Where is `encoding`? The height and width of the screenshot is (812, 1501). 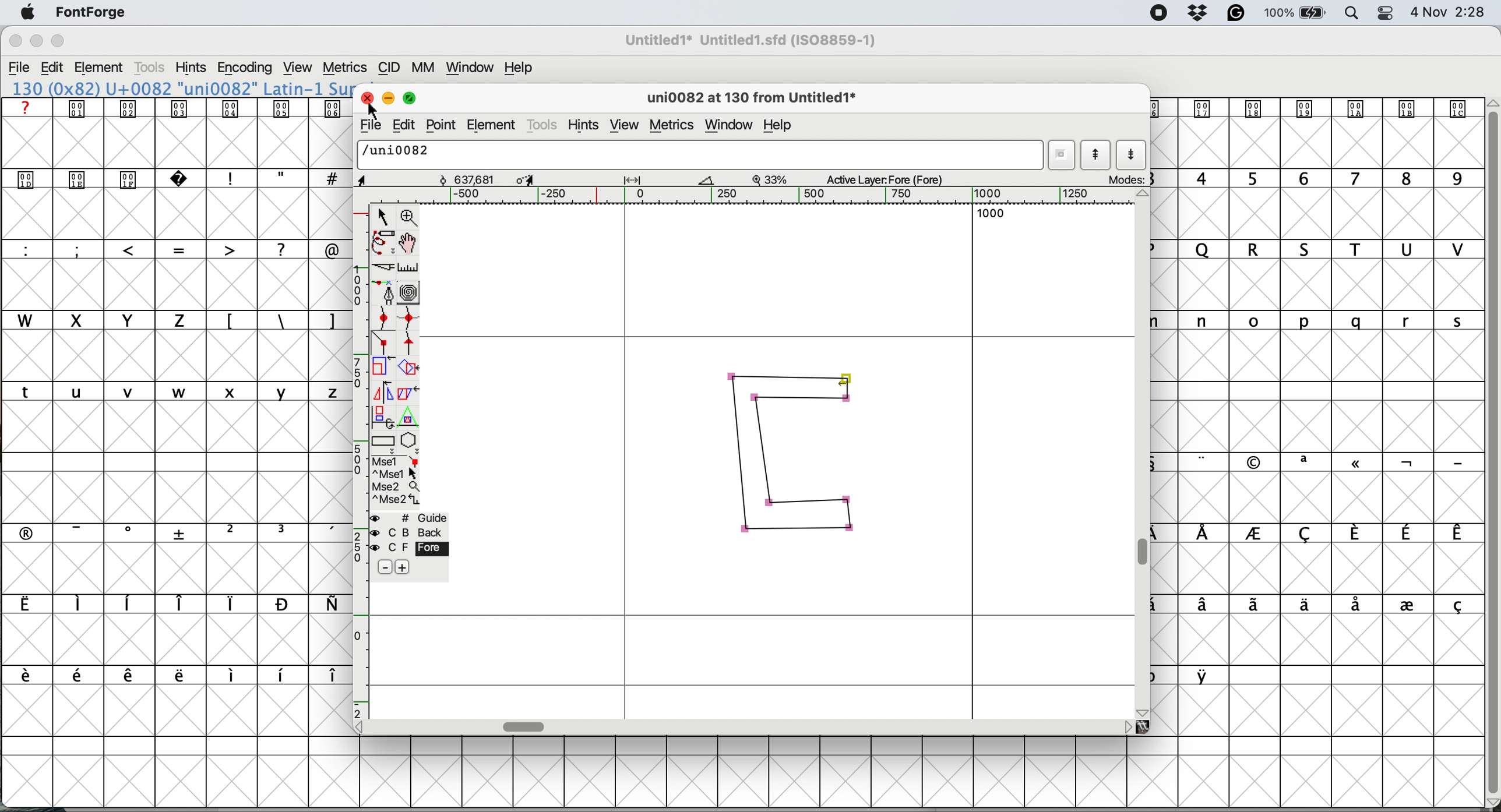 encoding is located at coordinates (246, 68).